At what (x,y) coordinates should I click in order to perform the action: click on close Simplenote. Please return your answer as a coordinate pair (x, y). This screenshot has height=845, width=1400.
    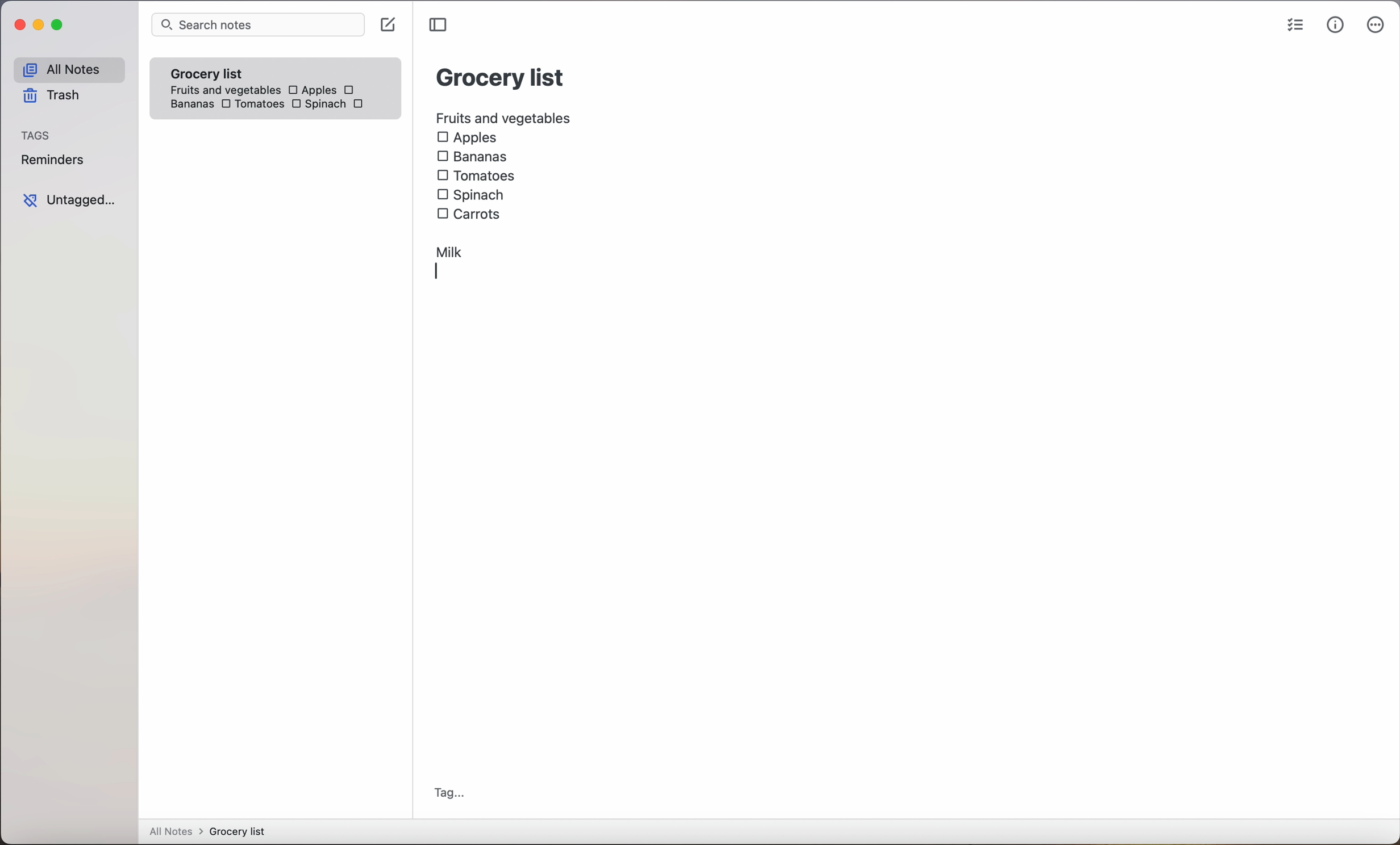
    Looking at the image, I should click on (19, 26).